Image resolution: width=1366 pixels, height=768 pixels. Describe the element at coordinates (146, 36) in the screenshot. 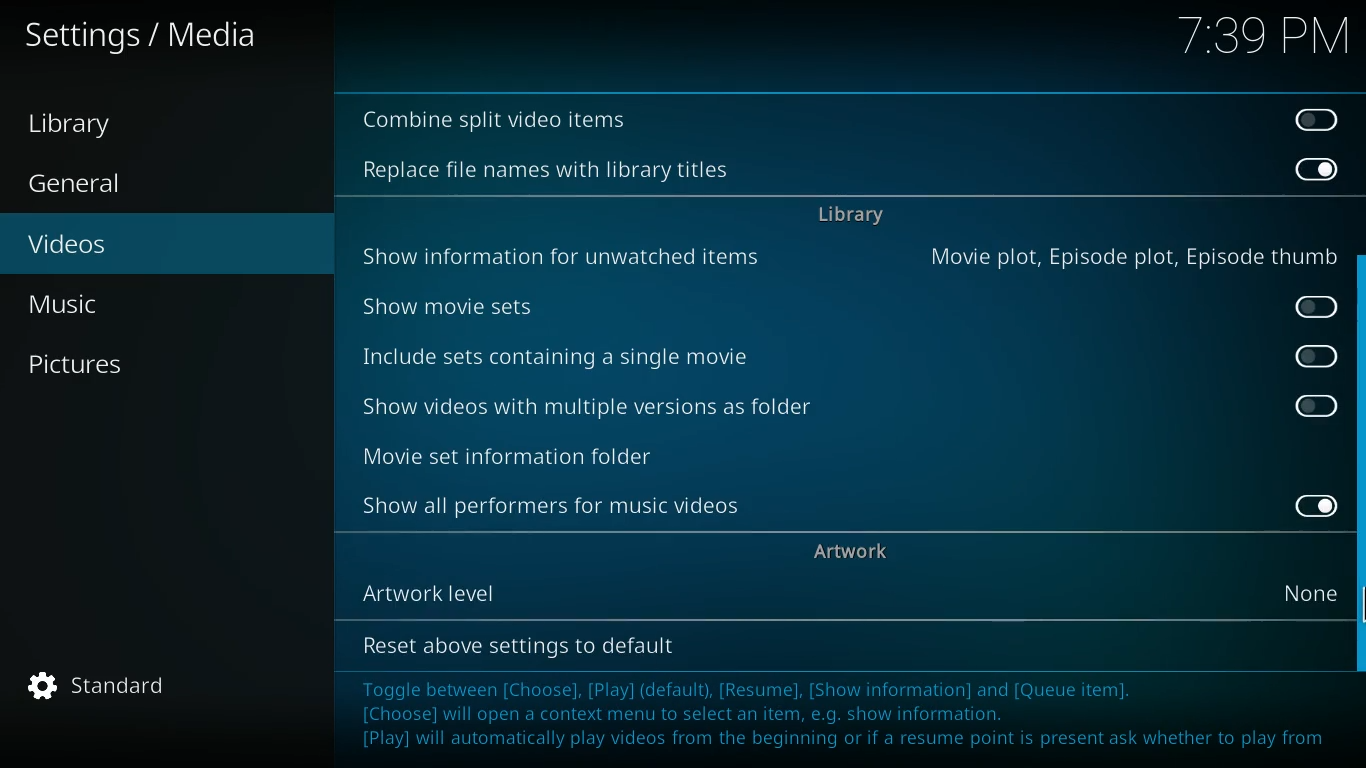

I see `Settings/Media` at that location.